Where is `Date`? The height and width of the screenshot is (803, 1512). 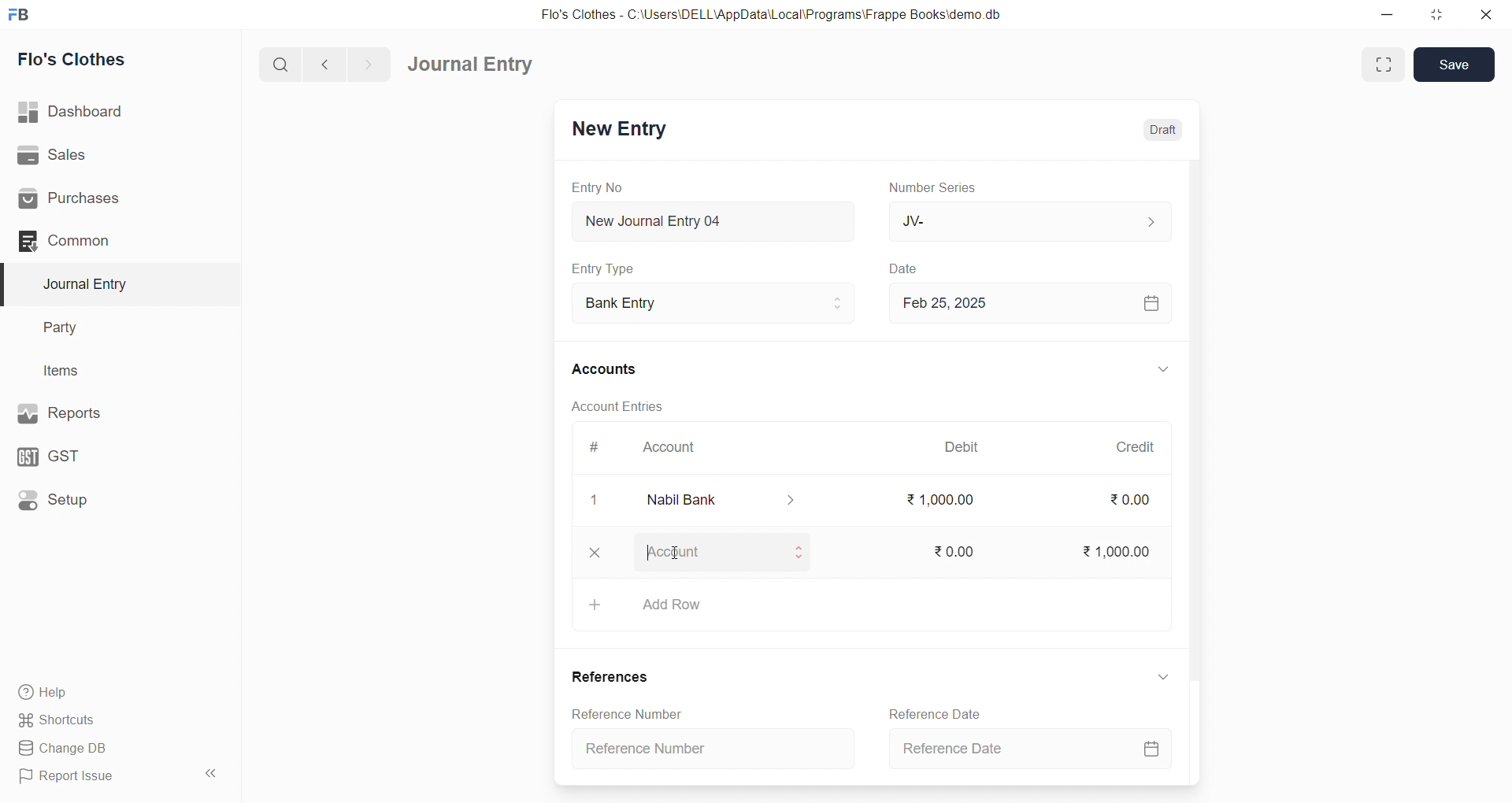 Date is located at coordinates (906, 269).